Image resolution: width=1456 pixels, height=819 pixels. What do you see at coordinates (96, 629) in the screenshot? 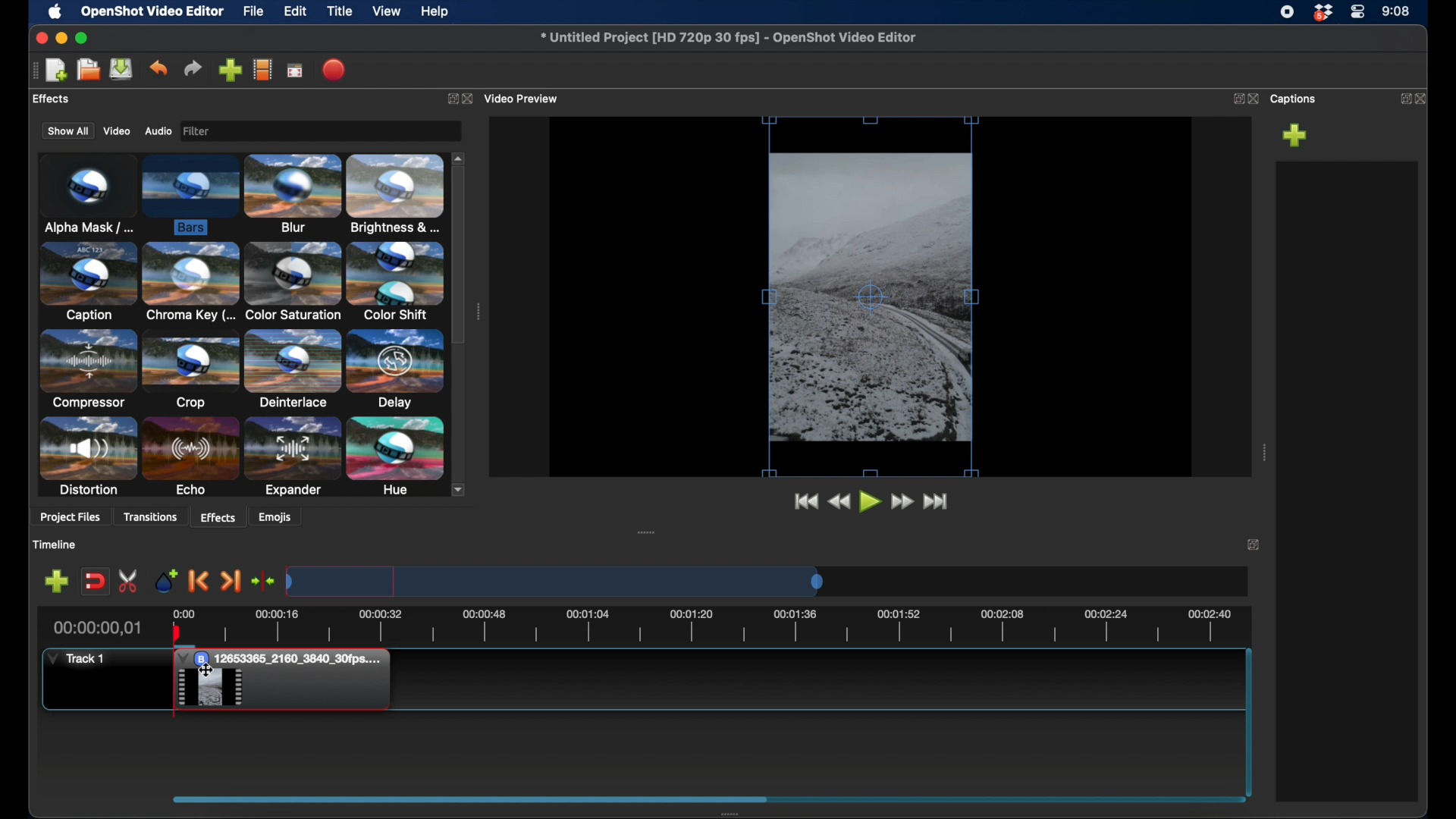
I see `current time indicator` at bounding box center [96, 629].